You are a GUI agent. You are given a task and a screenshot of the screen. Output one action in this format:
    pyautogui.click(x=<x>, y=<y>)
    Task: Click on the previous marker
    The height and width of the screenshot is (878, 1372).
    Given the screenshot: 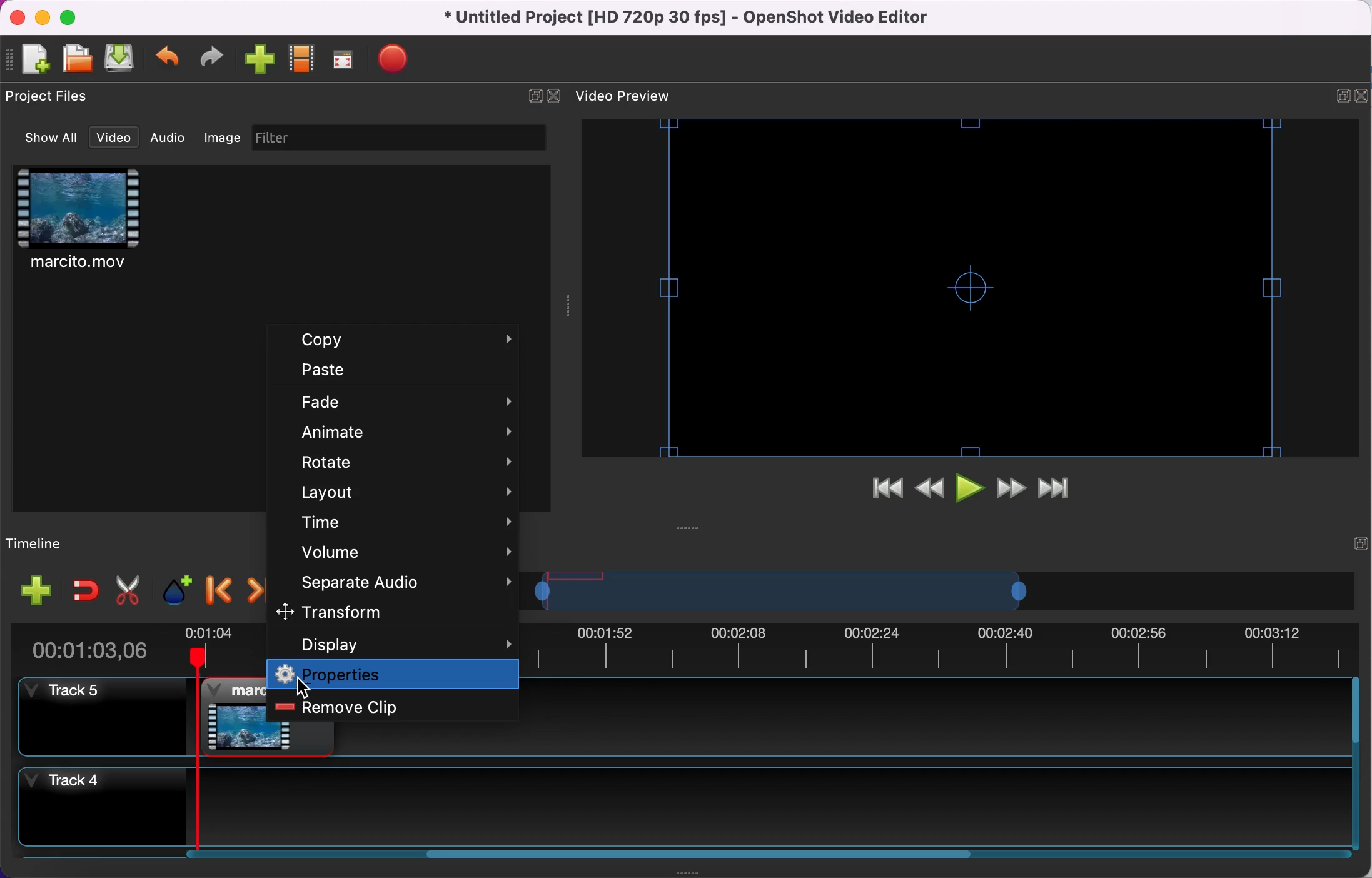 What is the action you would take?
    pyautogui.click(x=219, y=588)
    